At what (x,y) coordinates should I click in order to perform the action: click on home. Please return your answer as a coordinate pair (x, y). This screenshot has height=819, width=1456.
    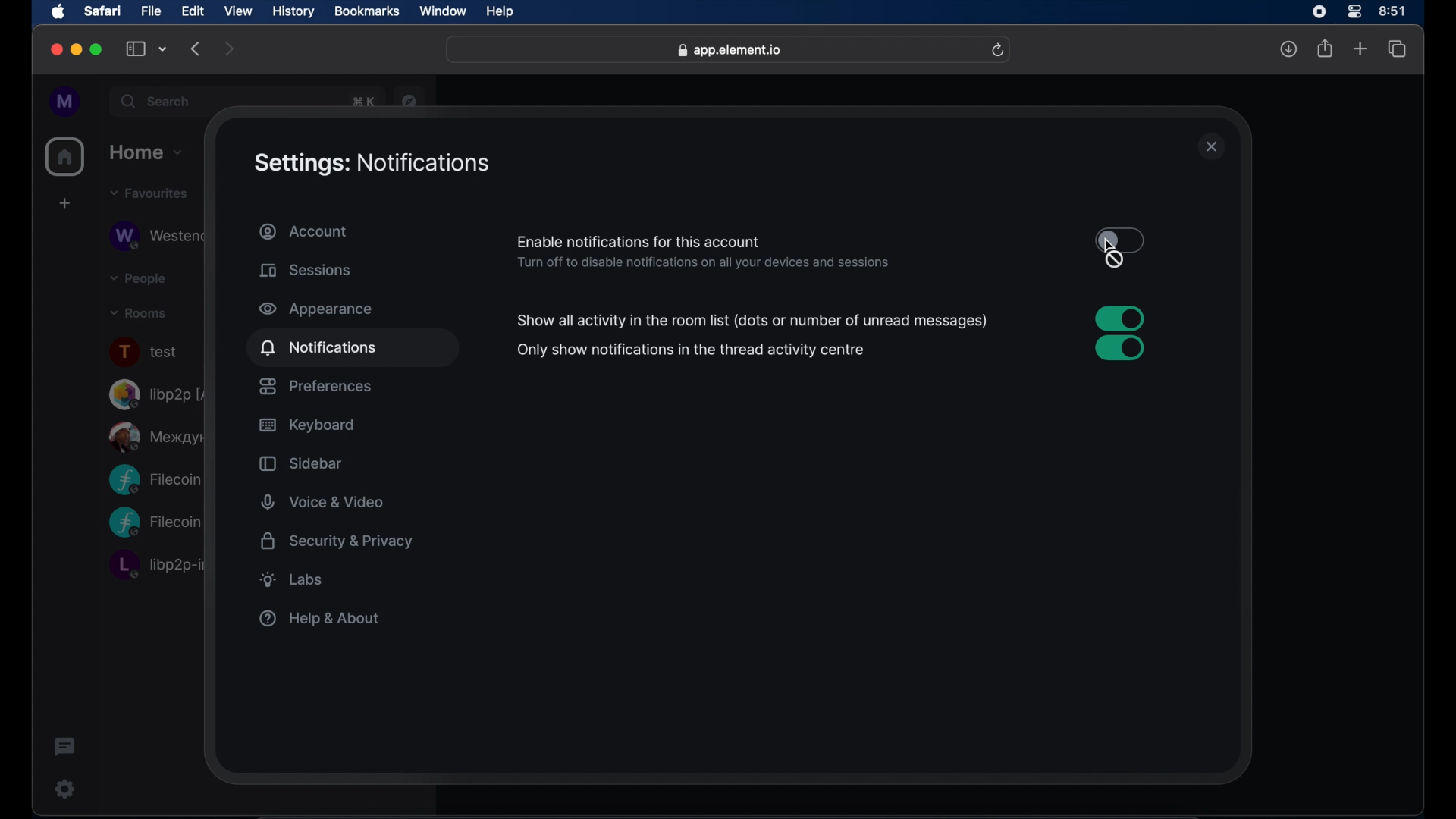
    Looking at the image, I should click on (66, 157).